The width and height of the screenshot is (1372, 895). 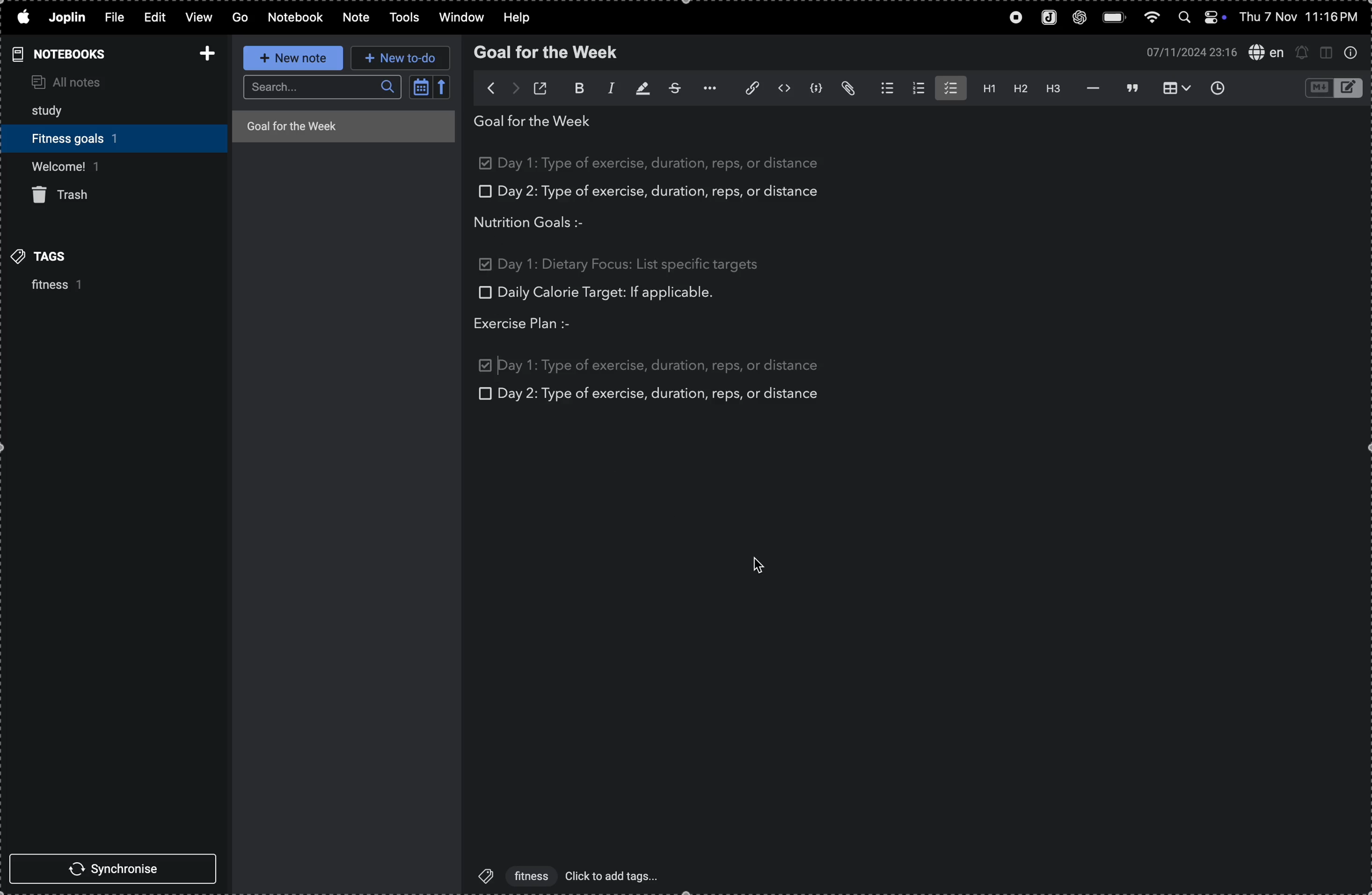 I want to click on daily calorie target: if applicable , so click(x=606, y=295).